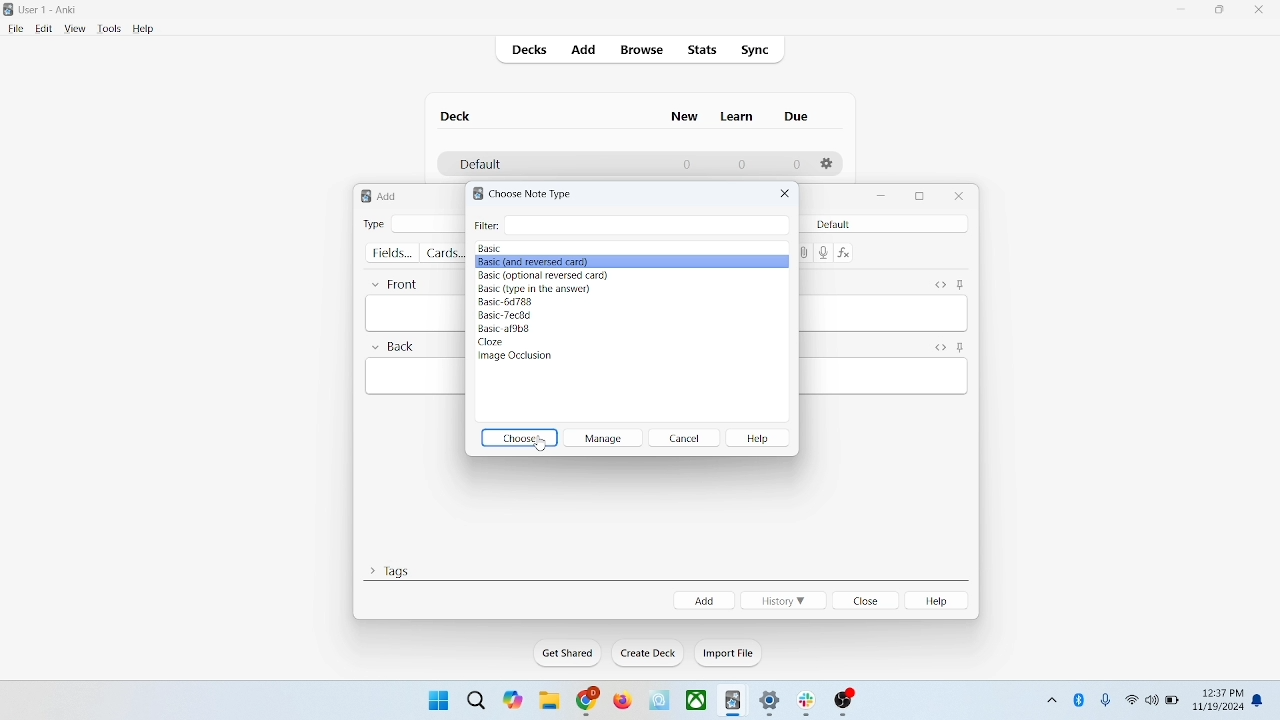 The width and height of the screenshot is (1280, 720). What do you see at coordinates (686, 437) in the screenshot?
I see `cancel` at bounding box center [686, 437].